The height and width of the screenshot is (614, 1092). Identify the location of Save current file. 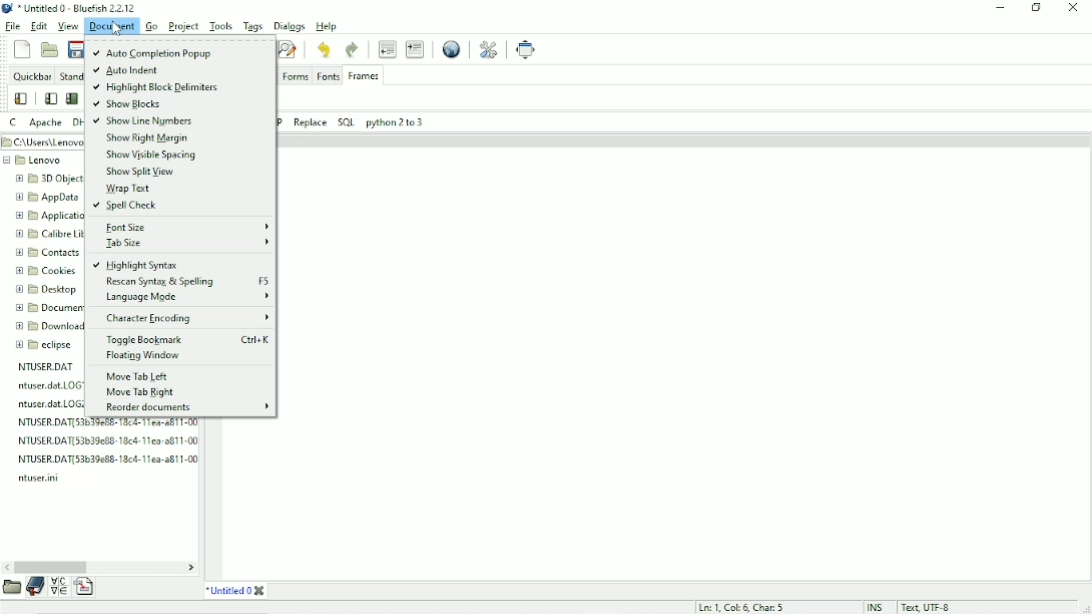
(75, 47).